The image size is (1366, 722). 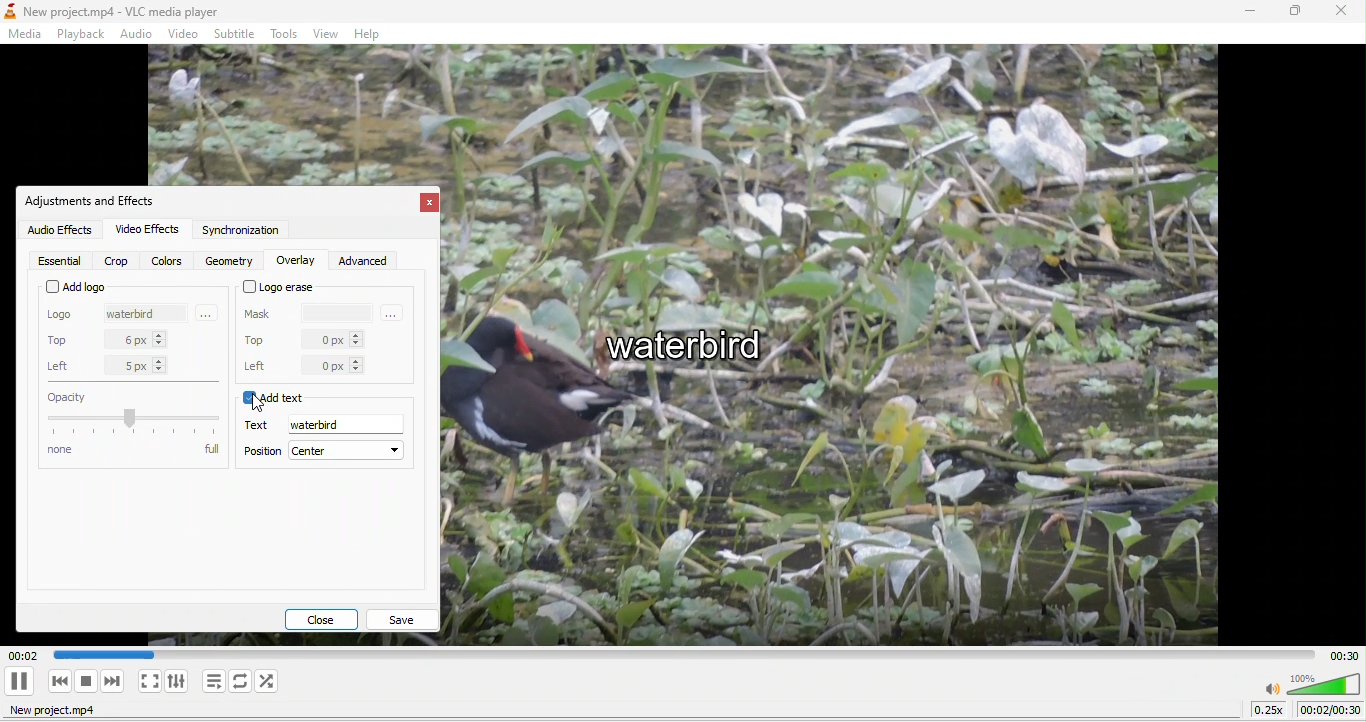 I want to click on More options, so click(x=204, y=312).